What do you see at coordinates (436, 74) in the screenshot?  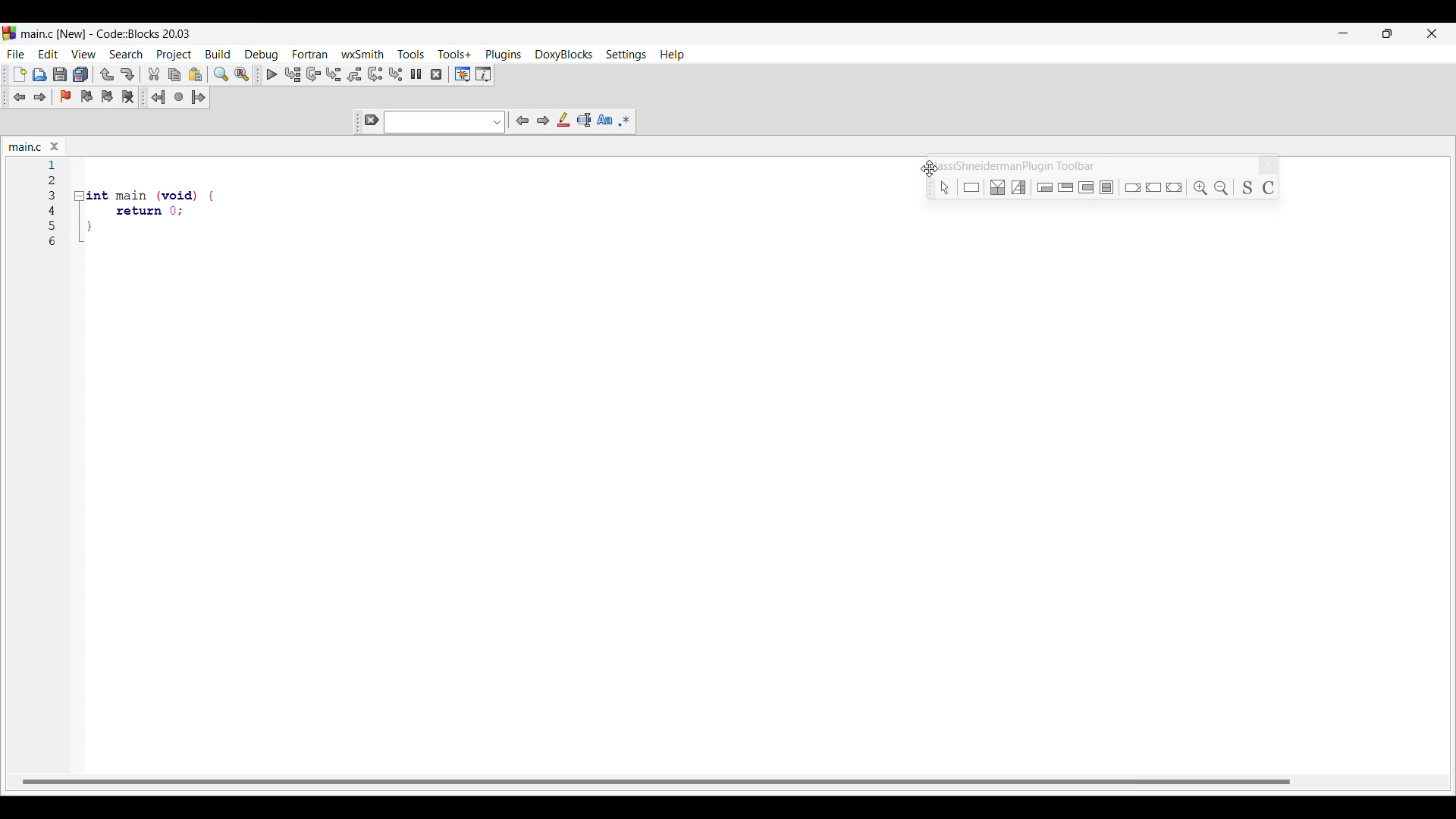 I see `Stop debugger` at bounding box center [436, 74].